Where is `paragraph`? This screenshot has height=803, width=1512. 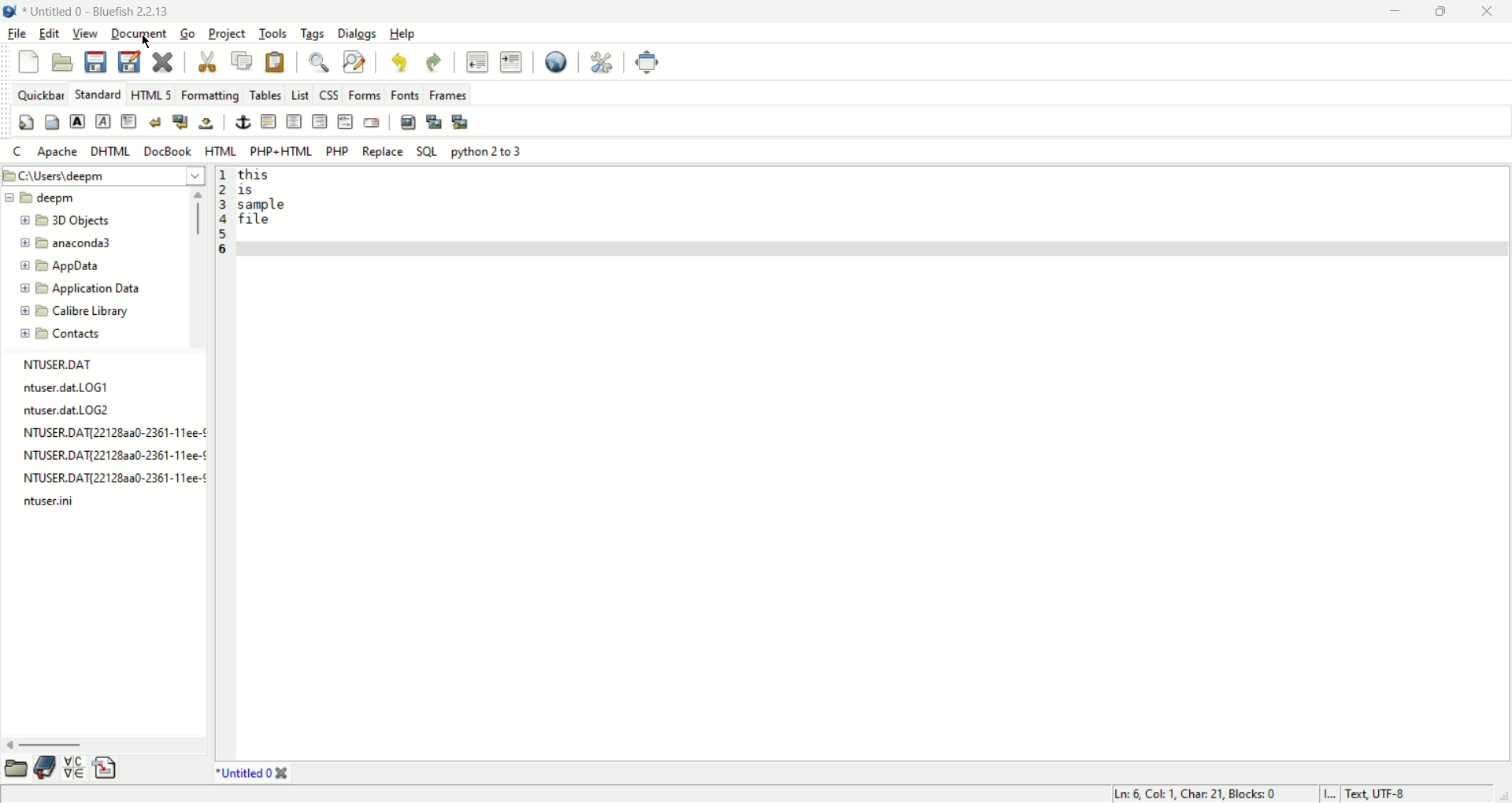
paragraph is located at coordinates (128, 122).